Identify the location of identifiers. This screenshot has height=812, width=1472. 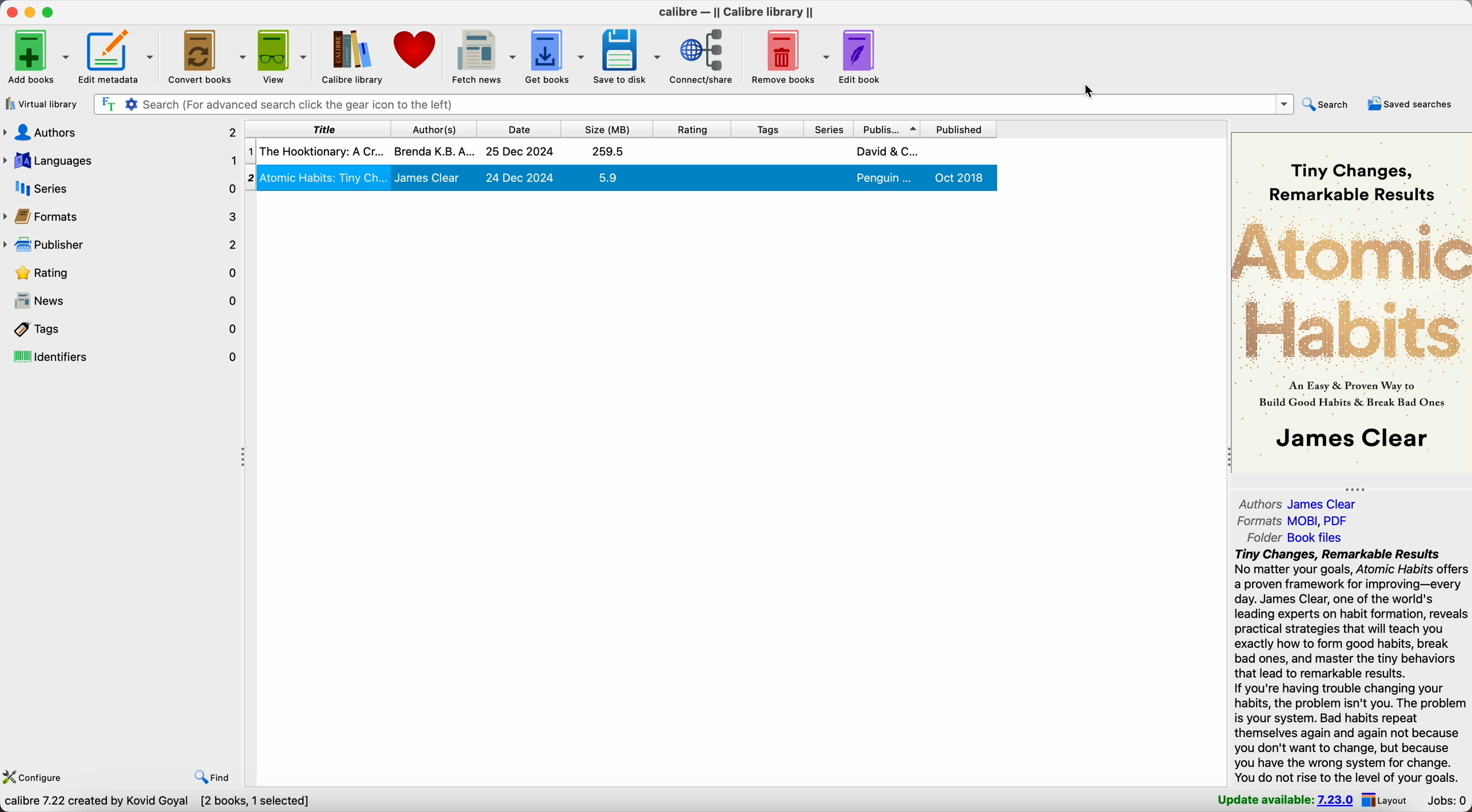
(122, 357).